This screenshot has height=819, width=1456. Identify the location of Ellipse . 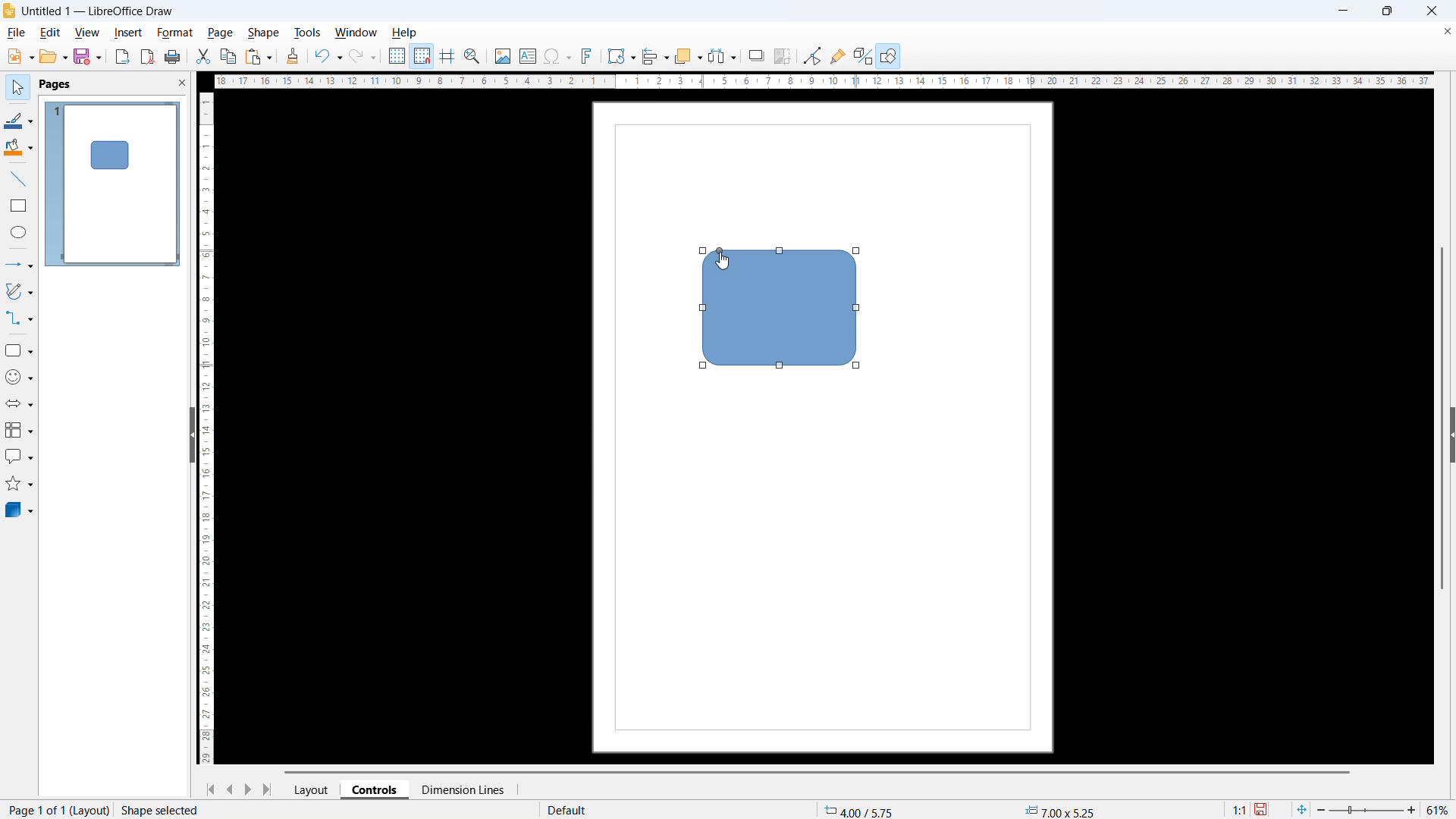
(19, 232).